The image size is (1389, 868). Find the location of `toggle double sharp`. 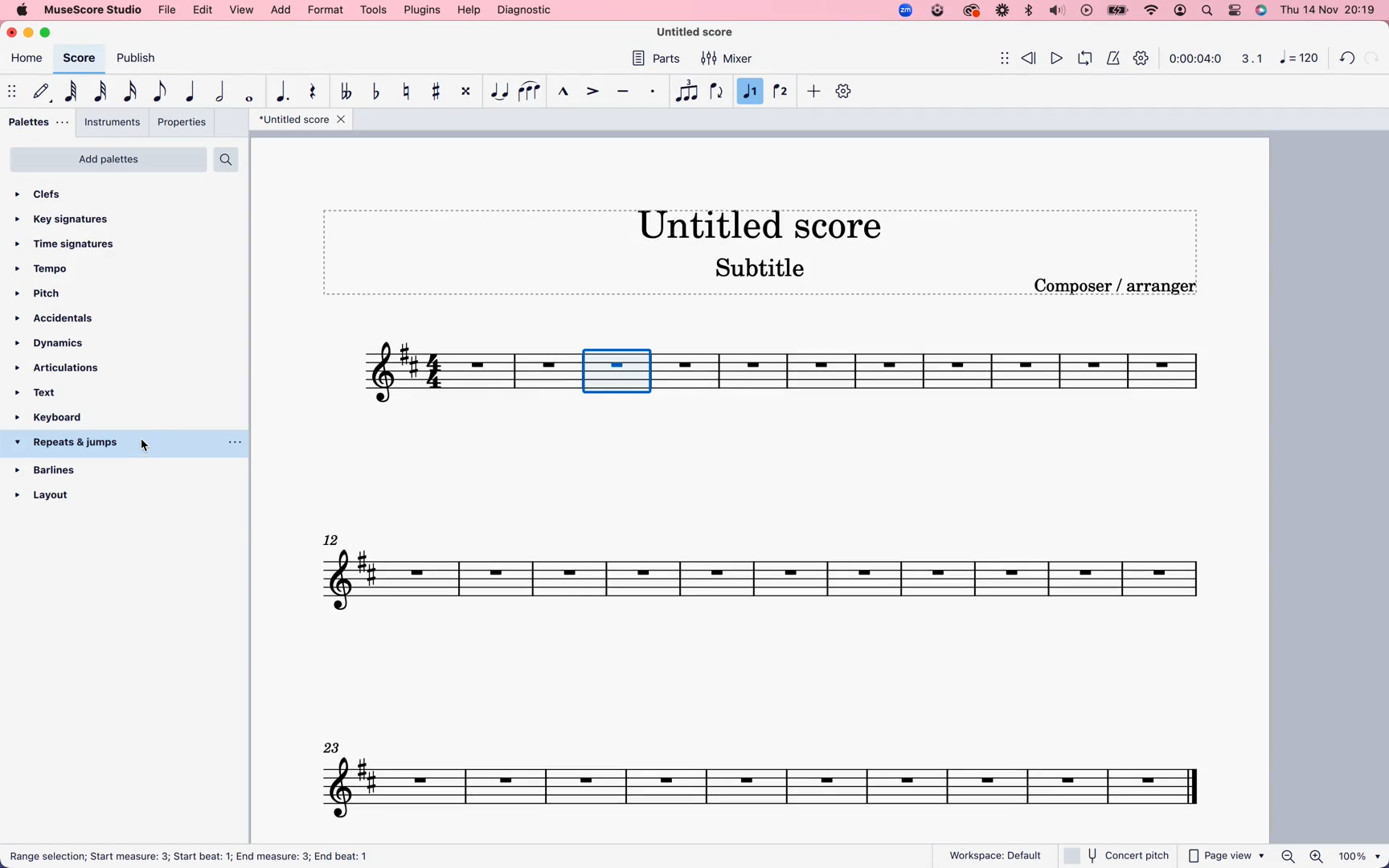

toggle double sharp is located at coordinates (468, 92).